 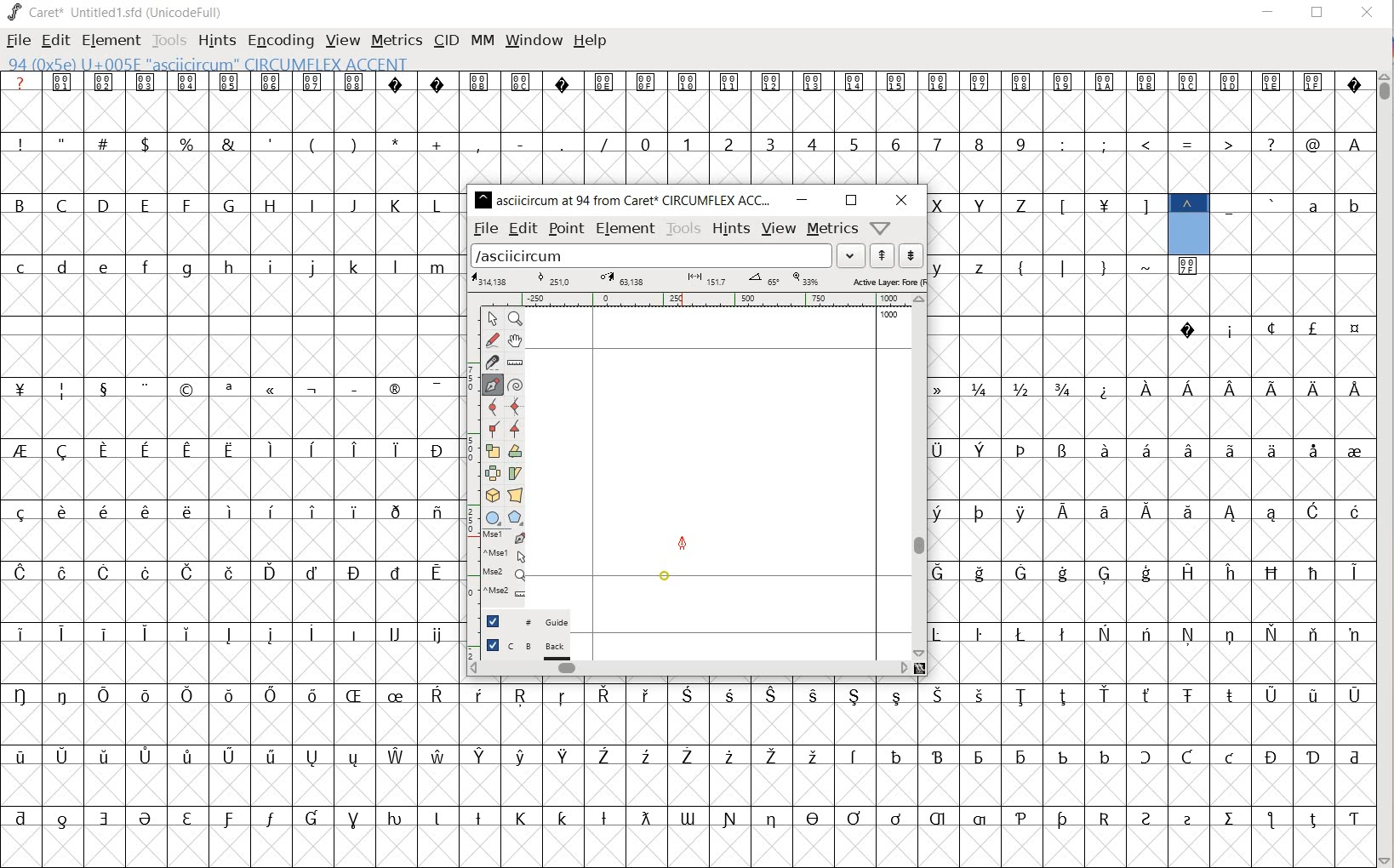 I want to click on METRICS, so click(x=397, y=41).